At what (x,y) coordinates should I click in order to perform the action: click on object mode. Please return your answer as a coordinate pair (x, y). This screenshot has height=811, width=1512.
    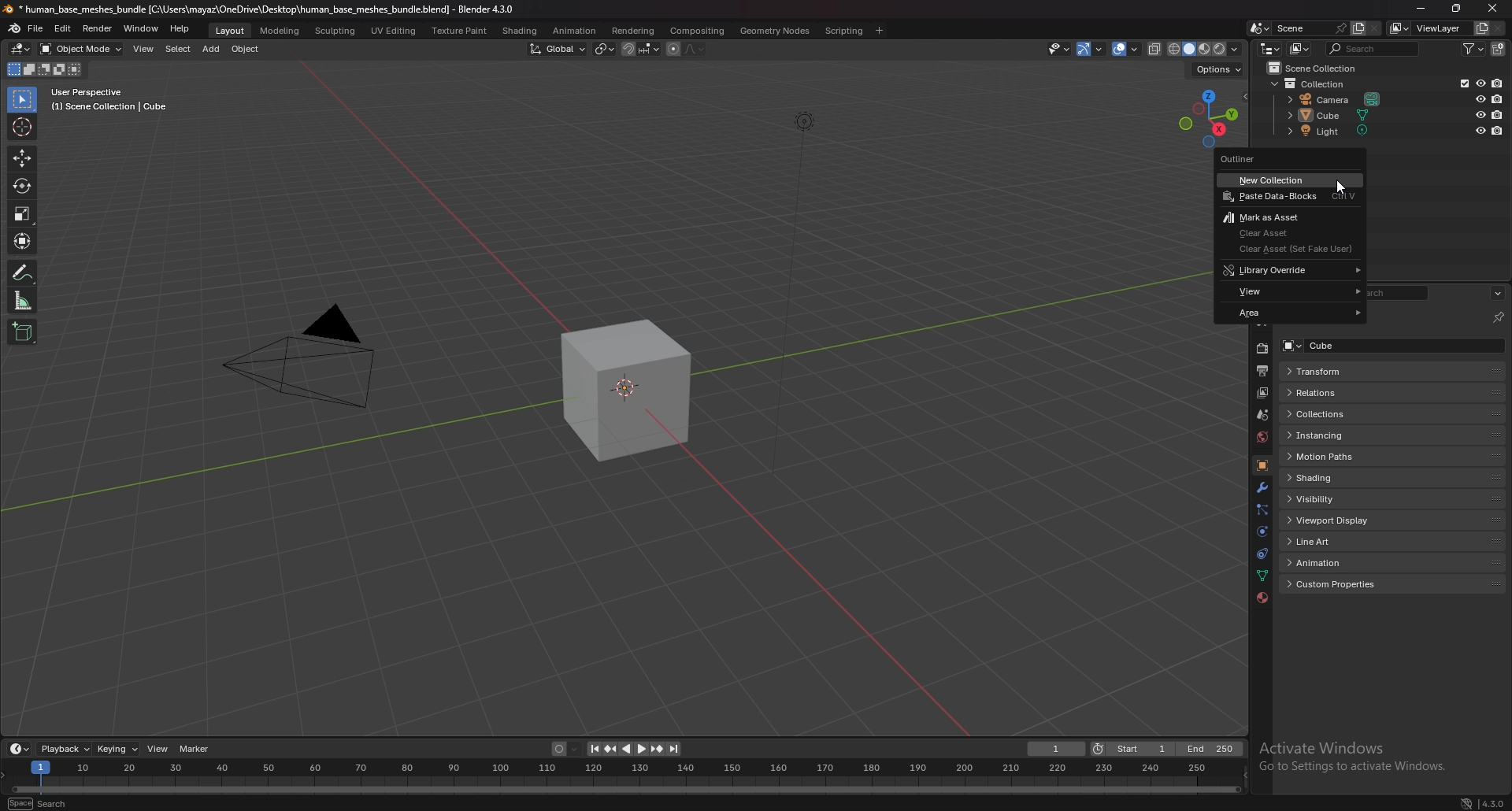
    Looking at the image, I should click on (80, 49).